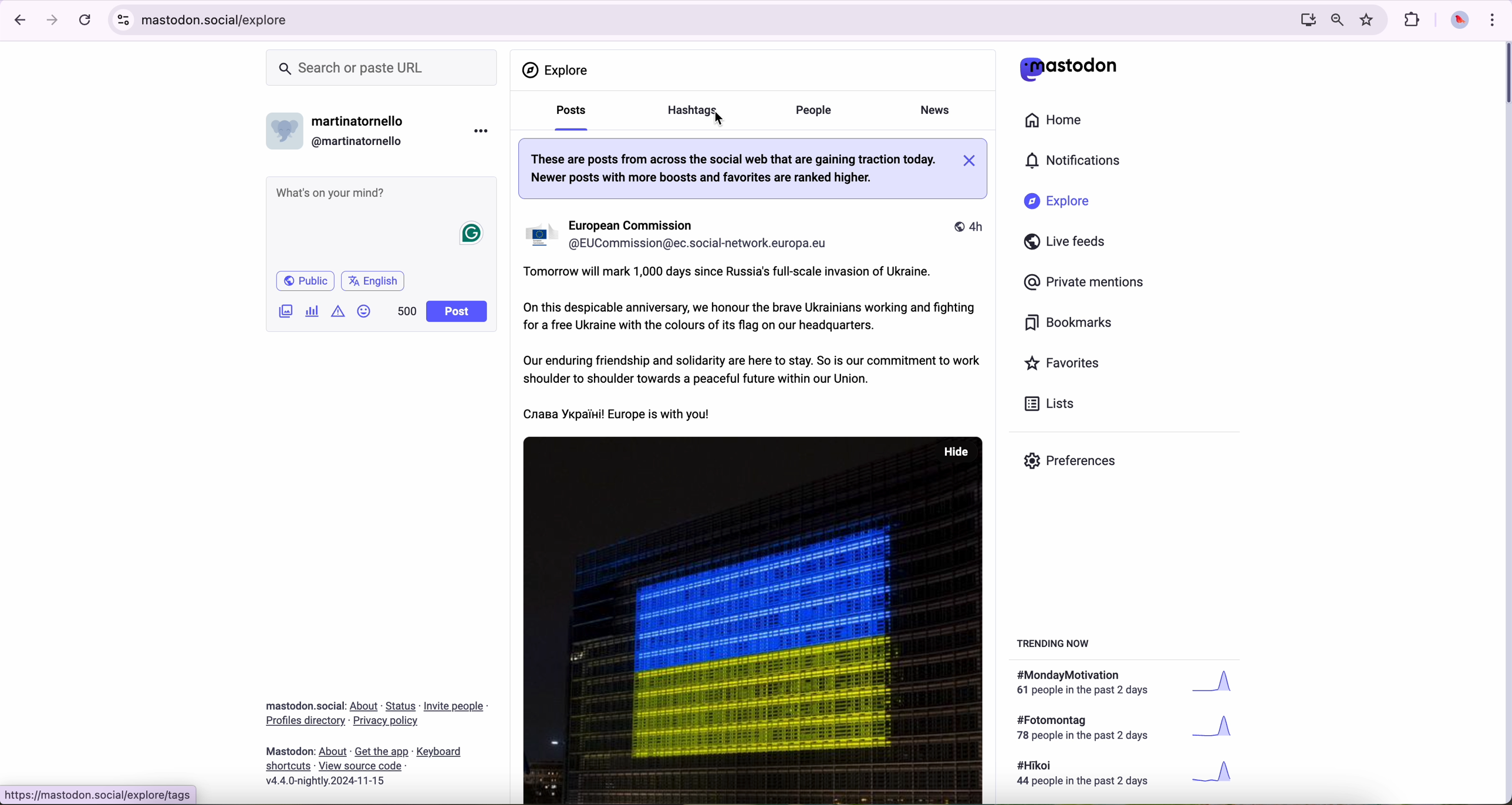  What do you see at coordinates (387, 720) in the screenshot?
I see `link` at bounding box center [387, 720].